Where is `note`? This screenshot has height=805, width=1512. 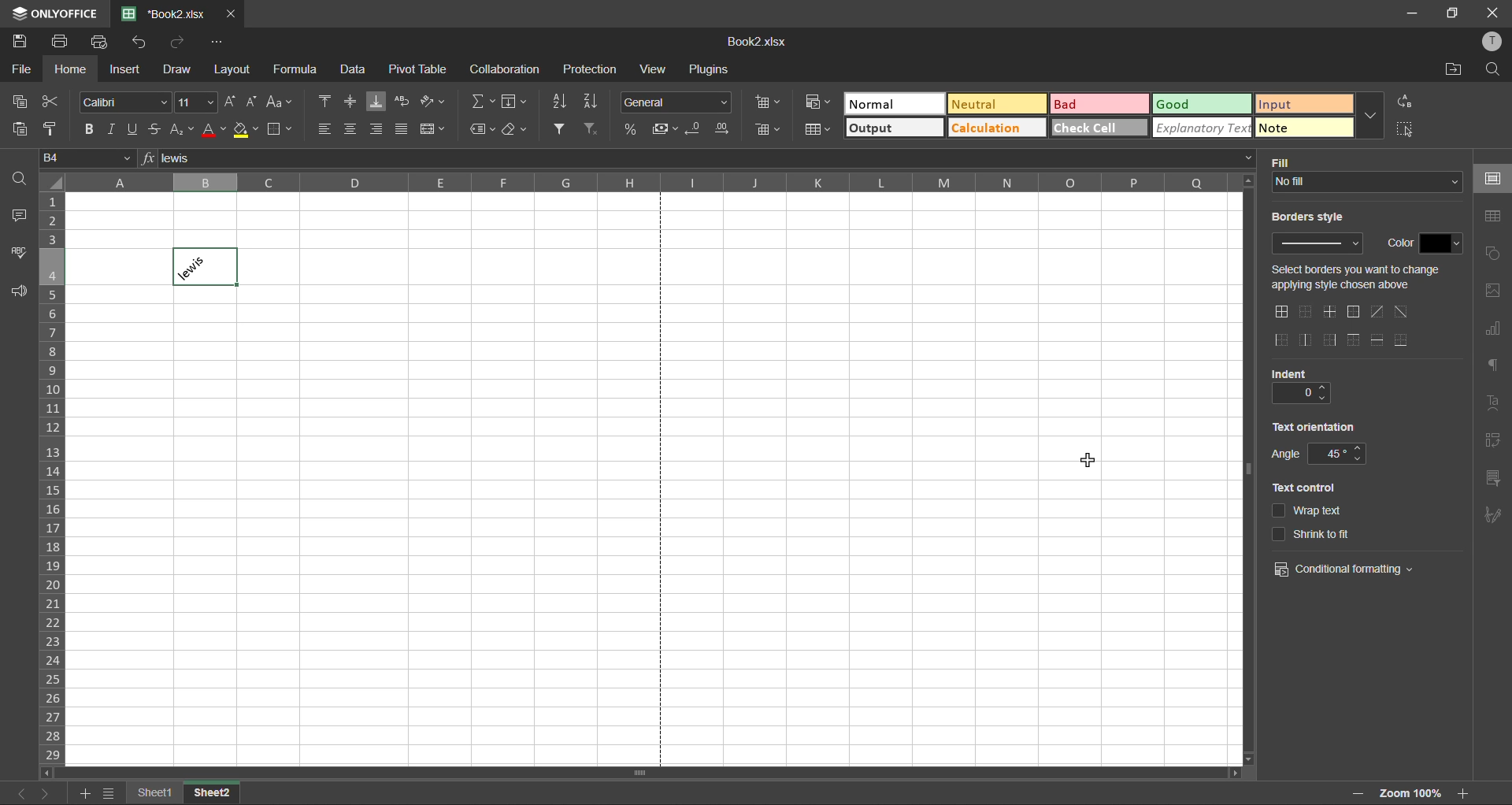
note is located at coordinates (1302, 129).